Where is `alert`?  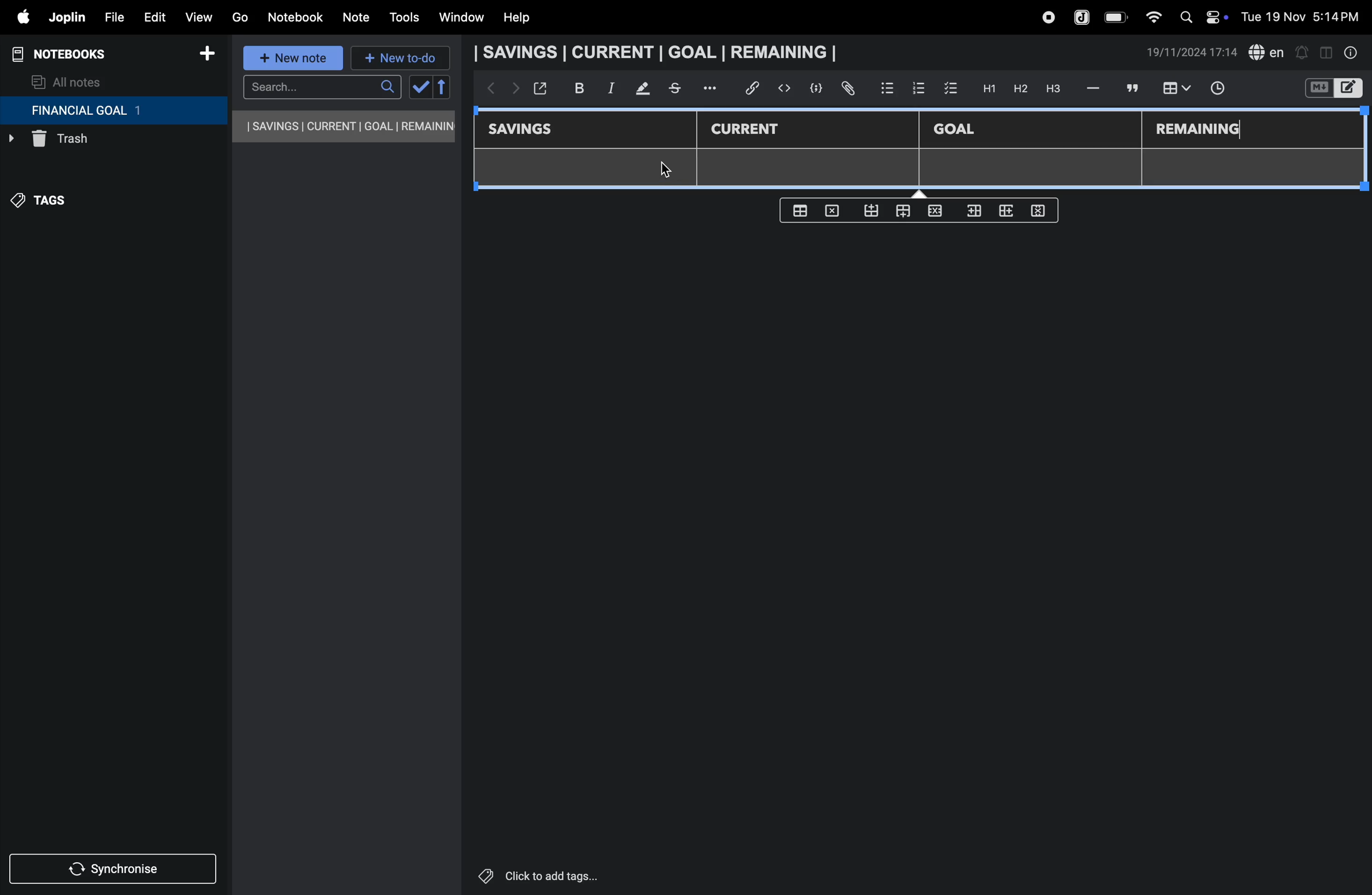 alert is located at coordinates (1301, 52).